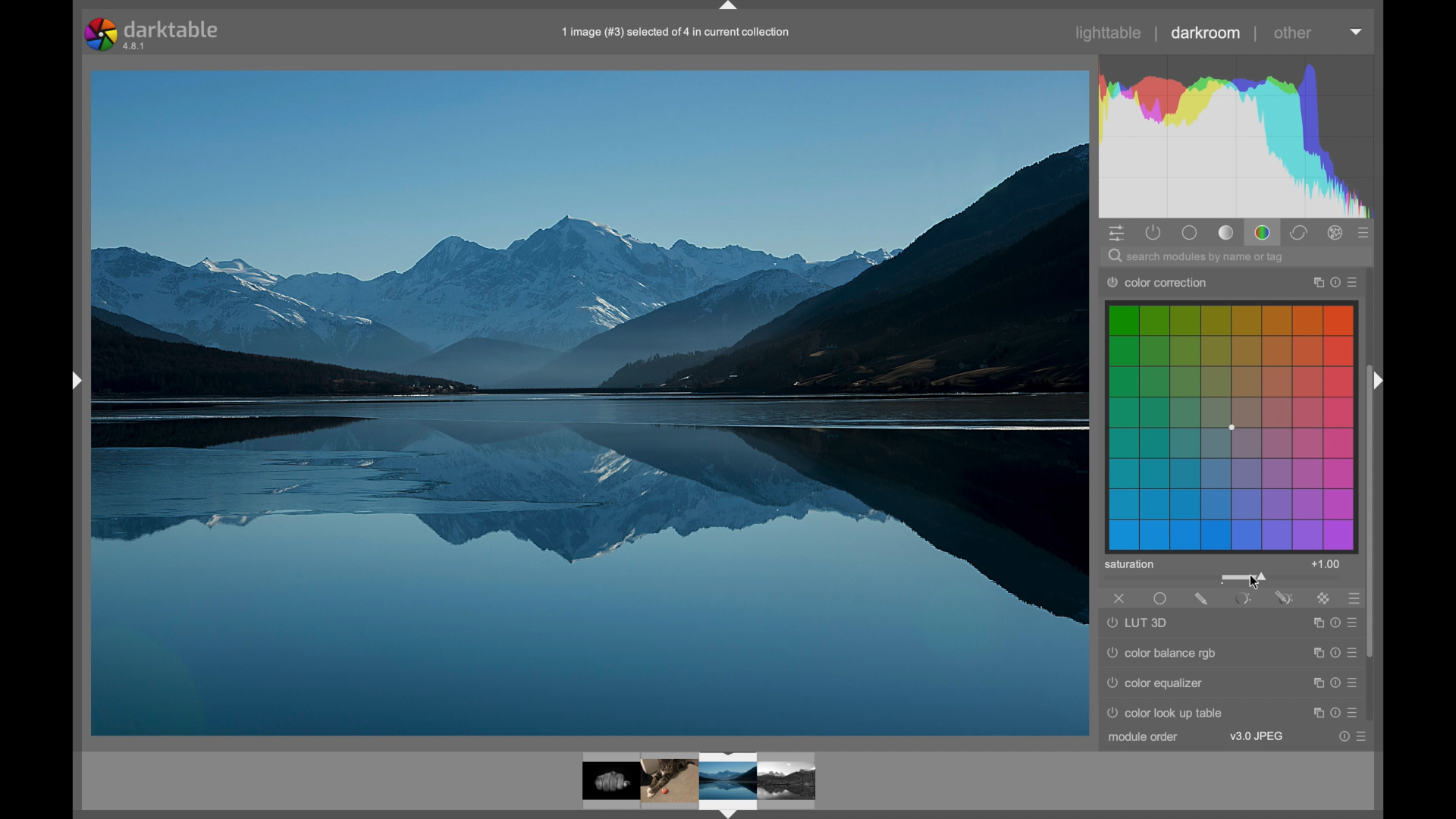 The image size is (1456, 819). I want to click on more options, so click(1334, 281).